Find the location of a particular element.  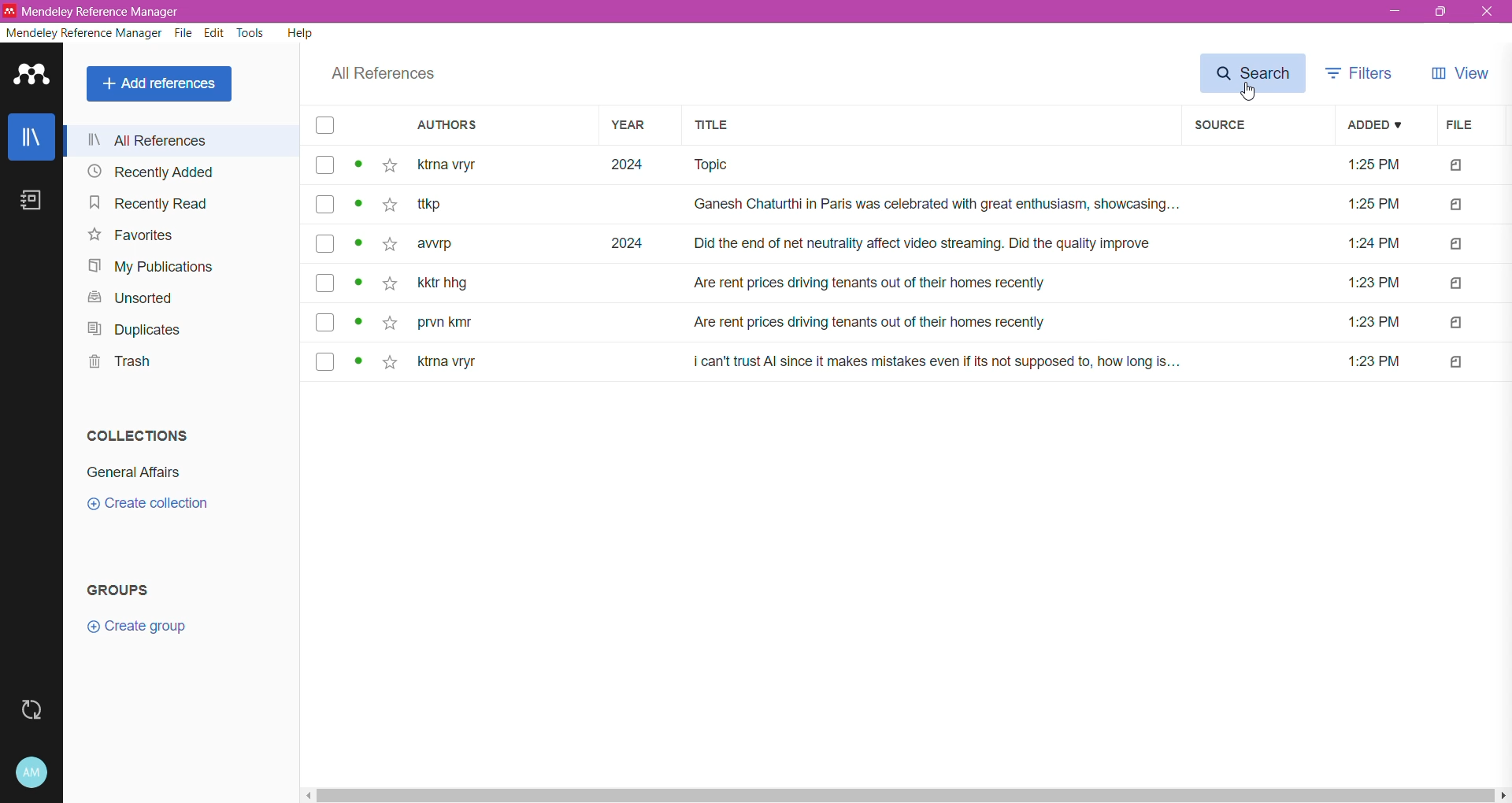

Last Sync is located at coordinates (33, 712).